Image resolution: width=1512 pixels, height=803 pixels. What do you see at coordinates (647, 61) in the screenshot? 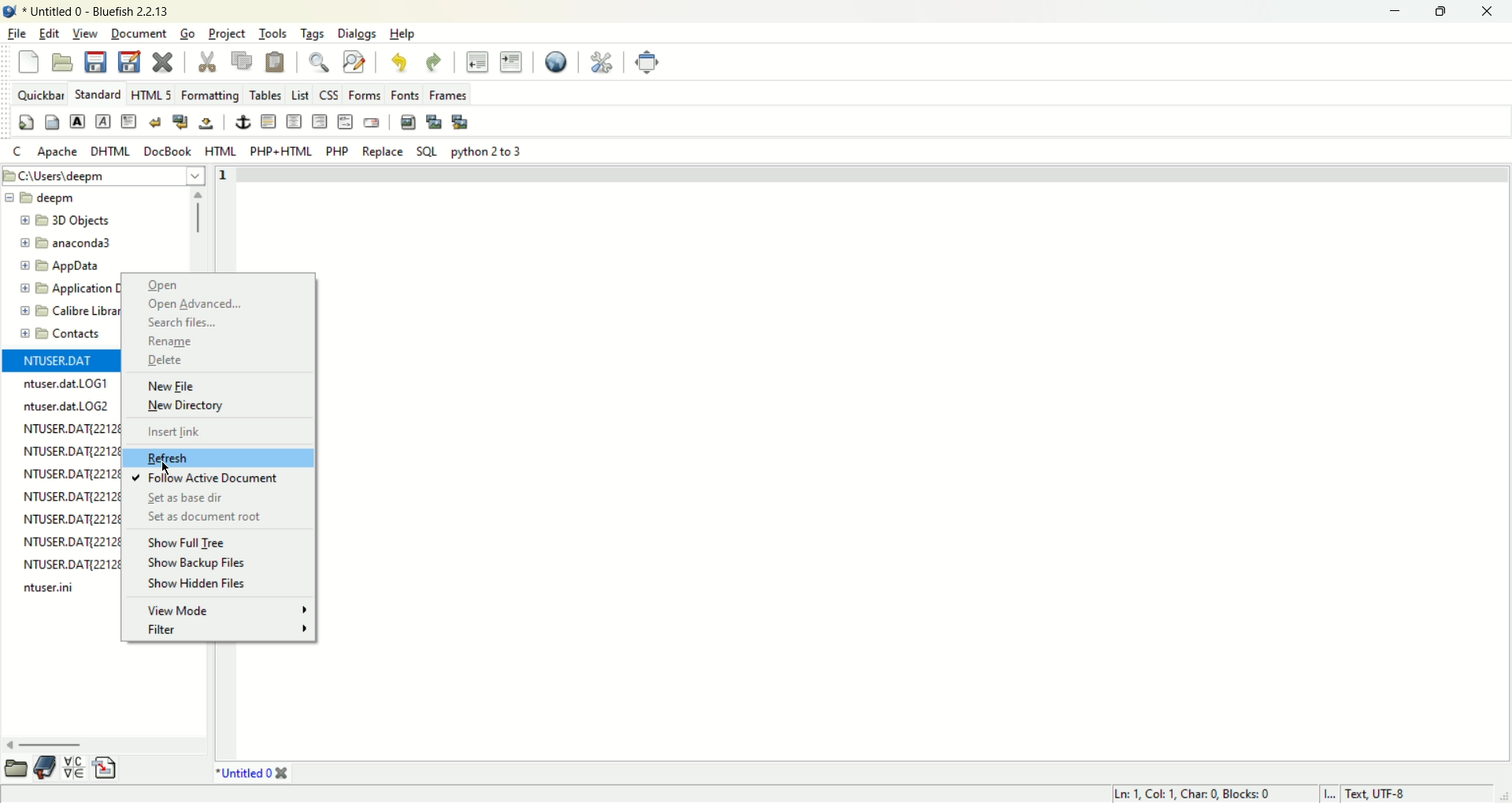
I see `fullscreen` at bounding box center [647, 61].